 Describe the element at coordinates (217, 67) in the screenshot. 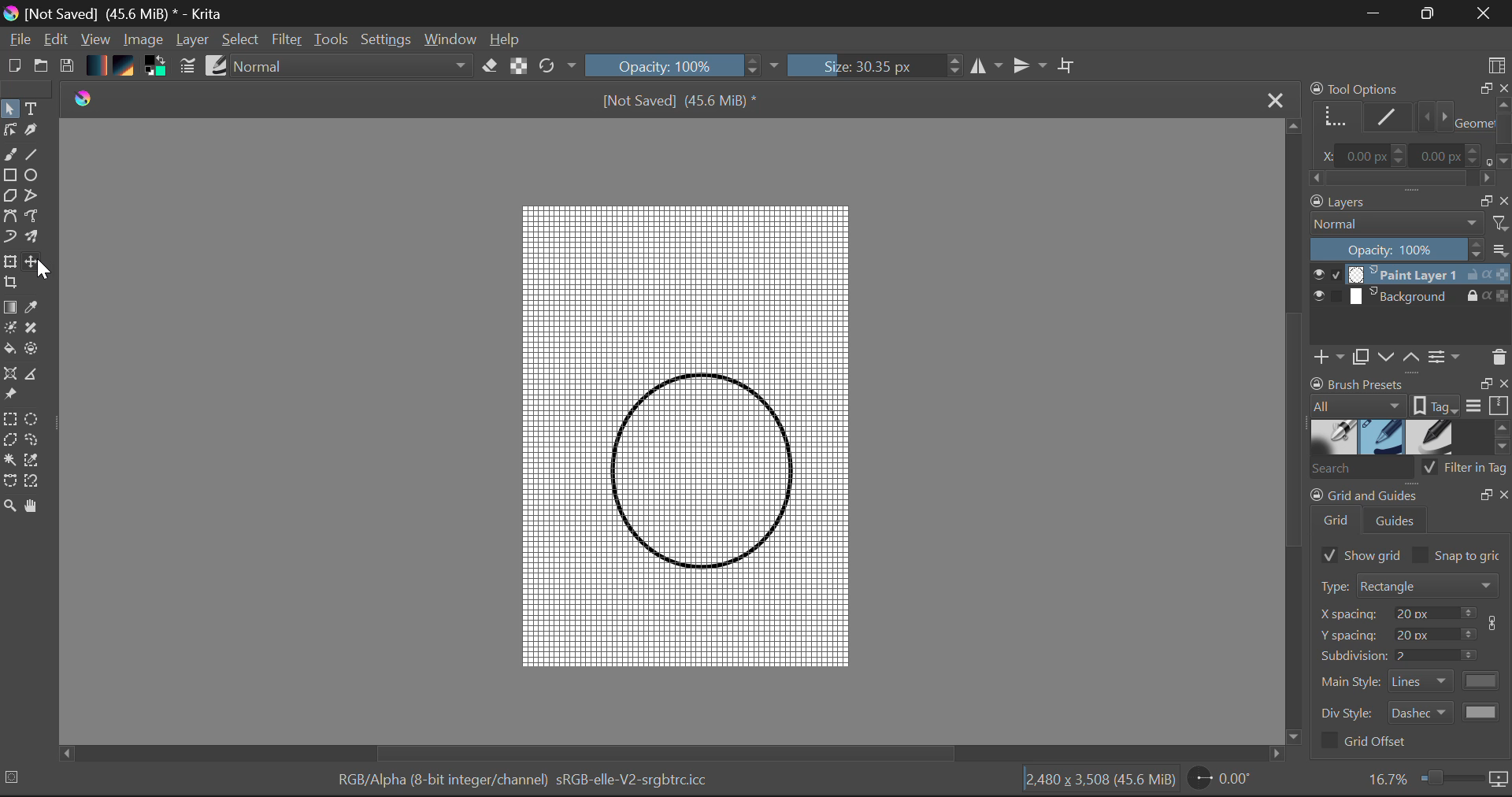

I see `Brush Presets` at that location.